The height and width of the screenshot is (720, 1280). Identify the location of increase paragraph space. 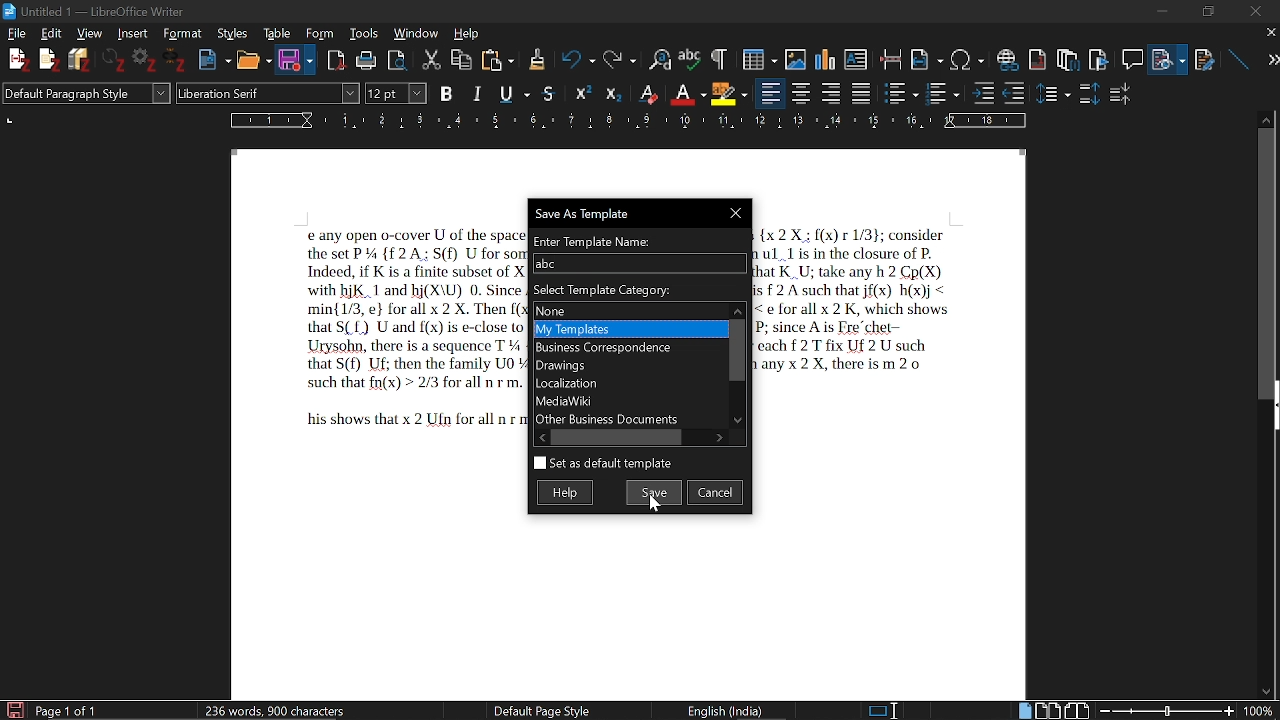
(1088, 93).